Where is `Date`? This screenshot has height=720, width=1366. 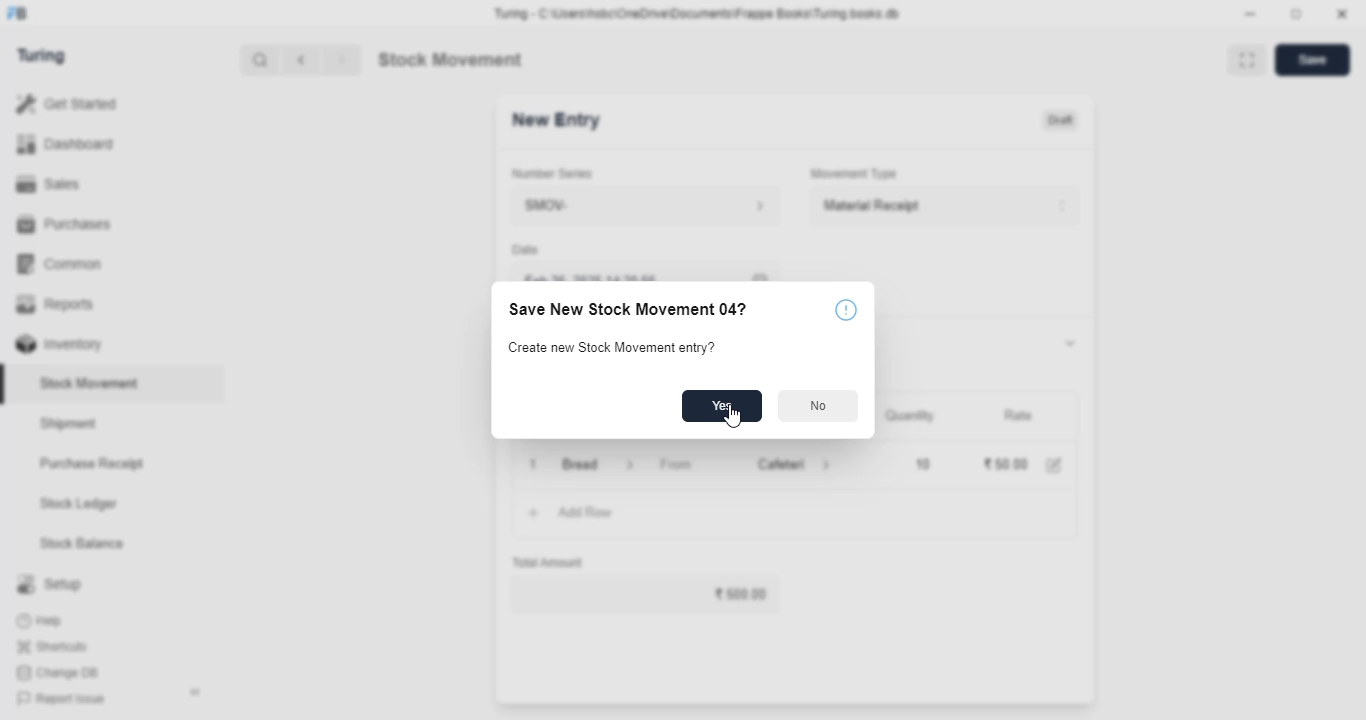 Date is located at coordinates (525, 249).